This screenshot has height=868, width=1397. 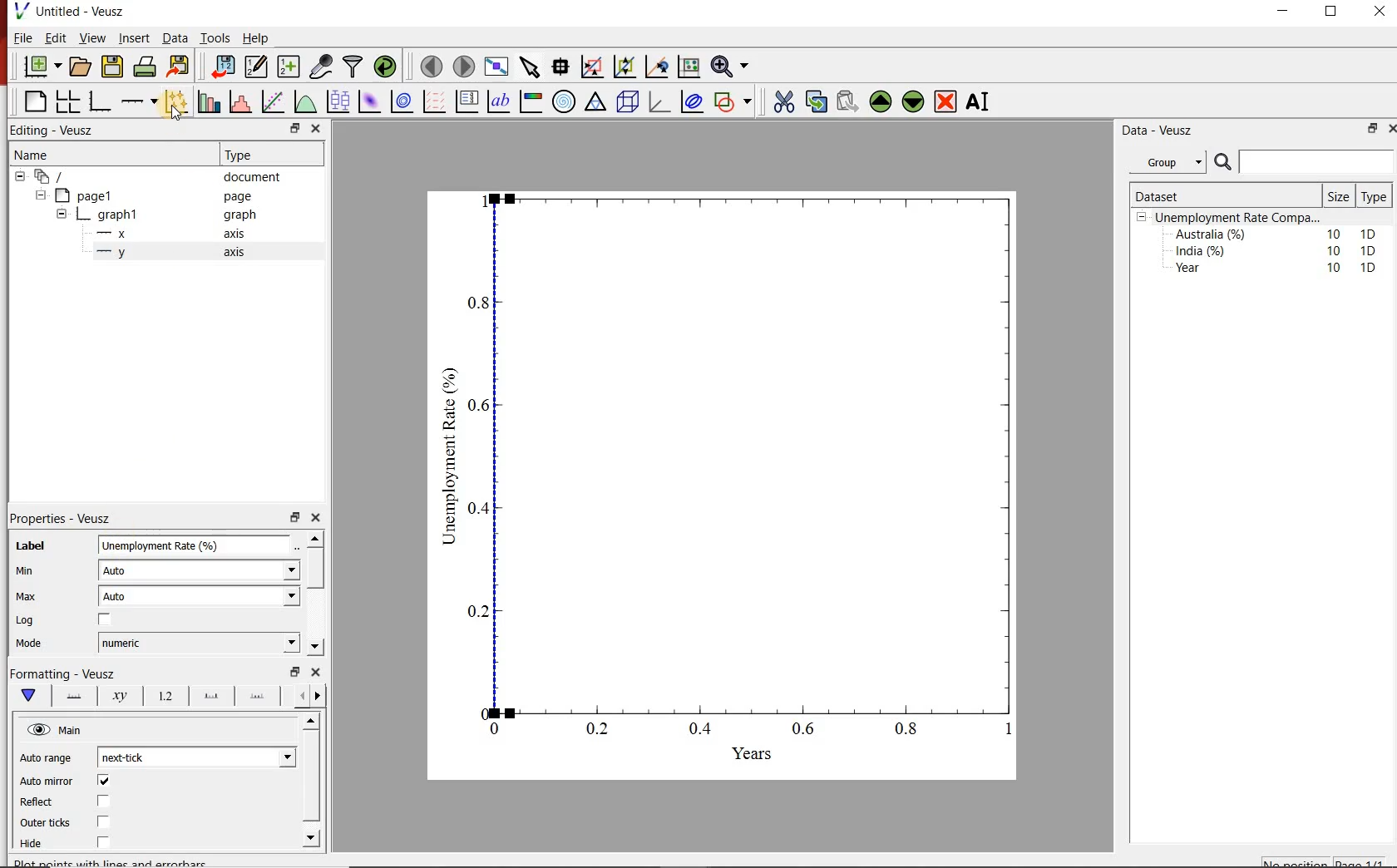 I want to click on minimise, so click(x=297, y=128).